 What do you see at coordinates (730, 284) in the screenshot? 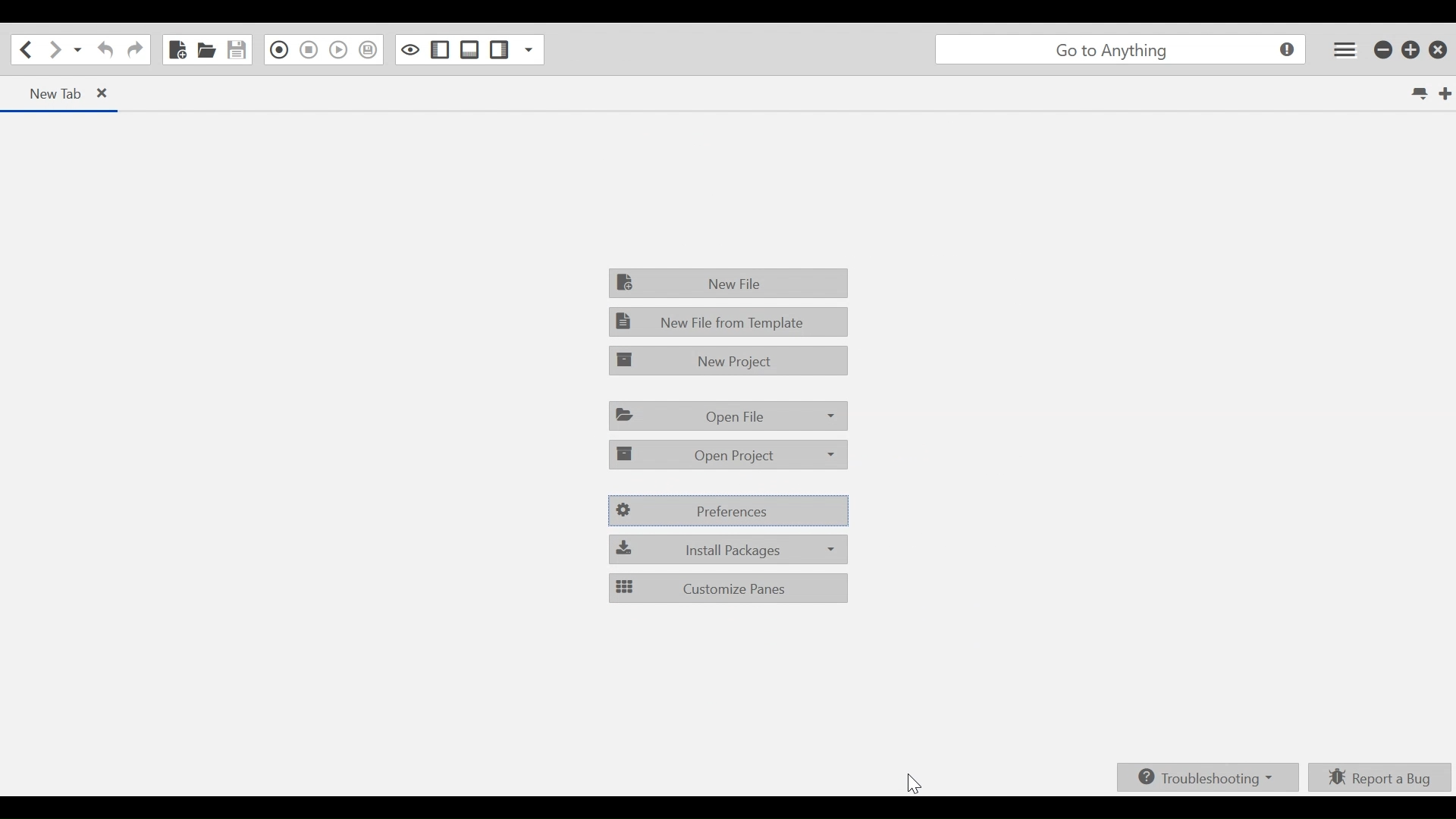
I see `New File` at bounding box center [730, 284].